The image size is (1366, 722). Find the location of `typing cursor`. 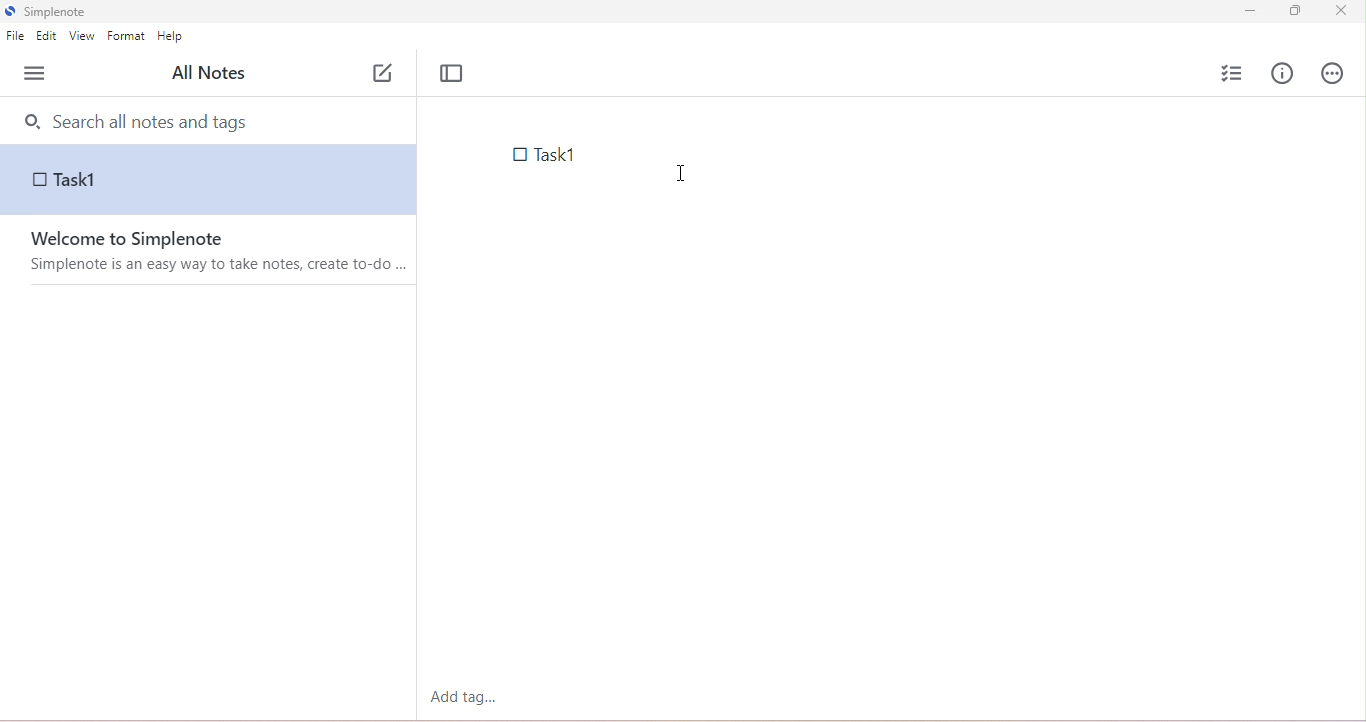

typing cursor is located at coordinates (680, 170).